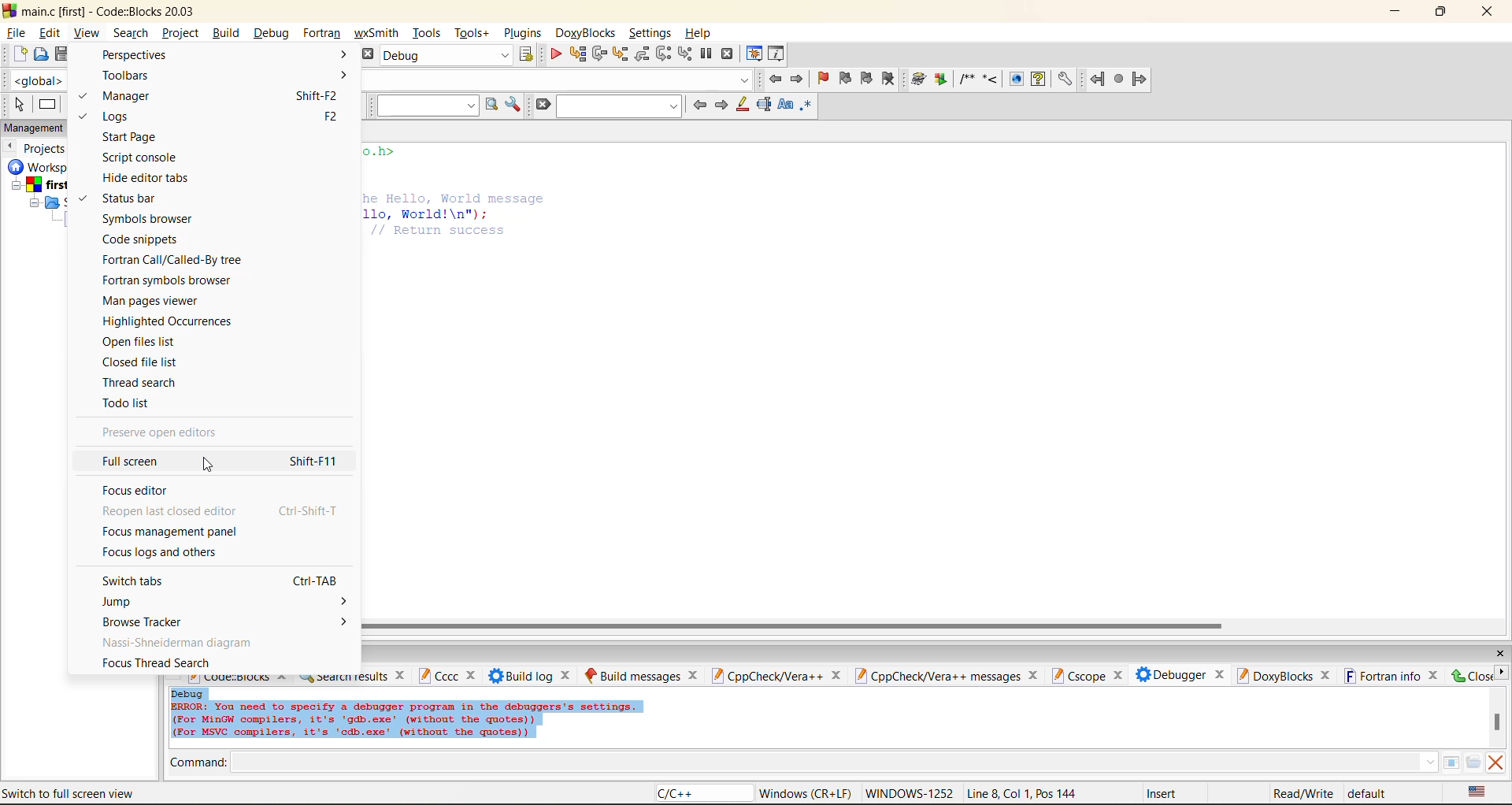 This screenshot has width=1512, height=805. I want to click on text language, so click(1475, 792).